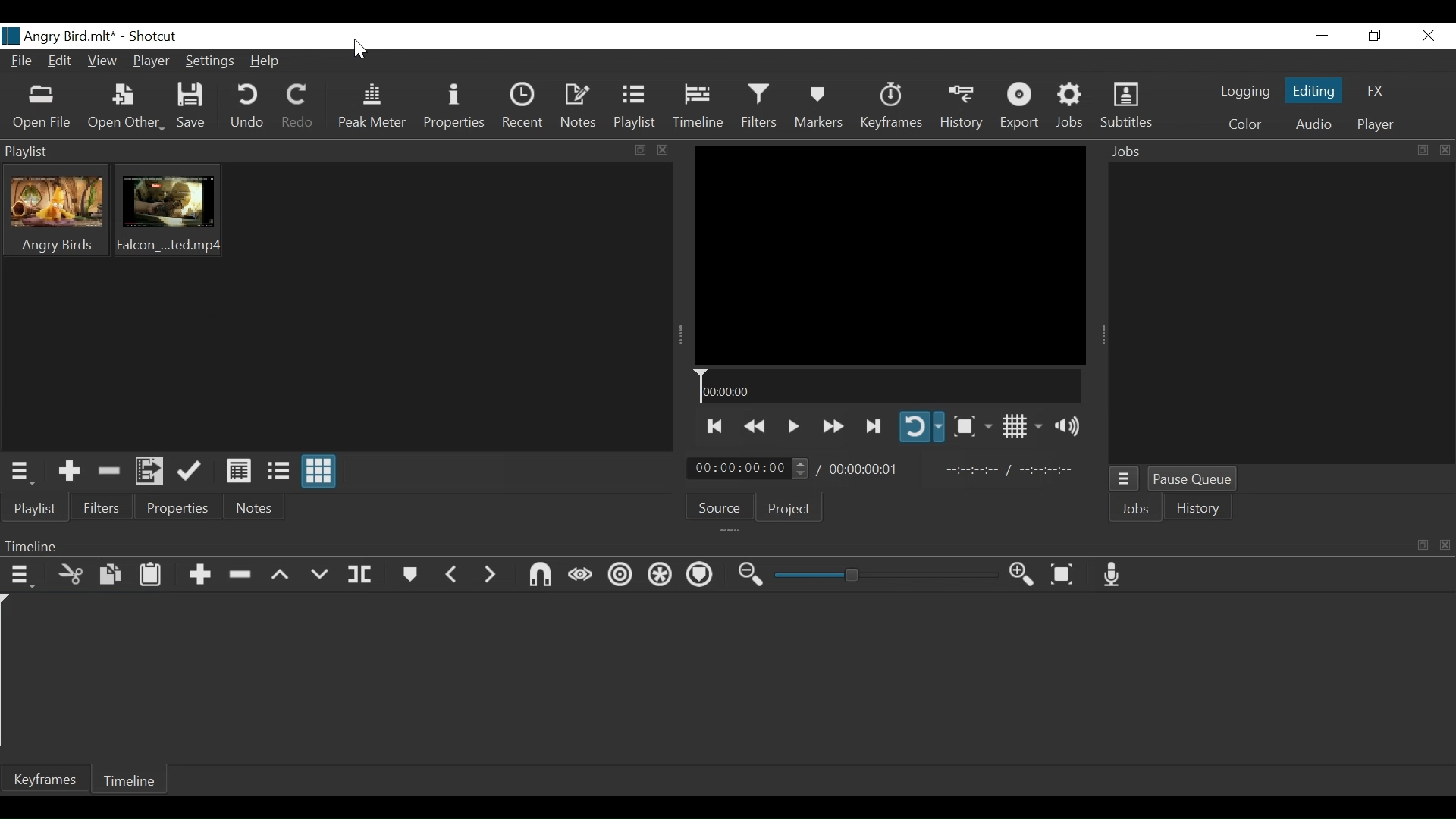  What do you see at coordinates (60, 35) in the screenshot?
I see `File name` at bounding box center [60, 35].